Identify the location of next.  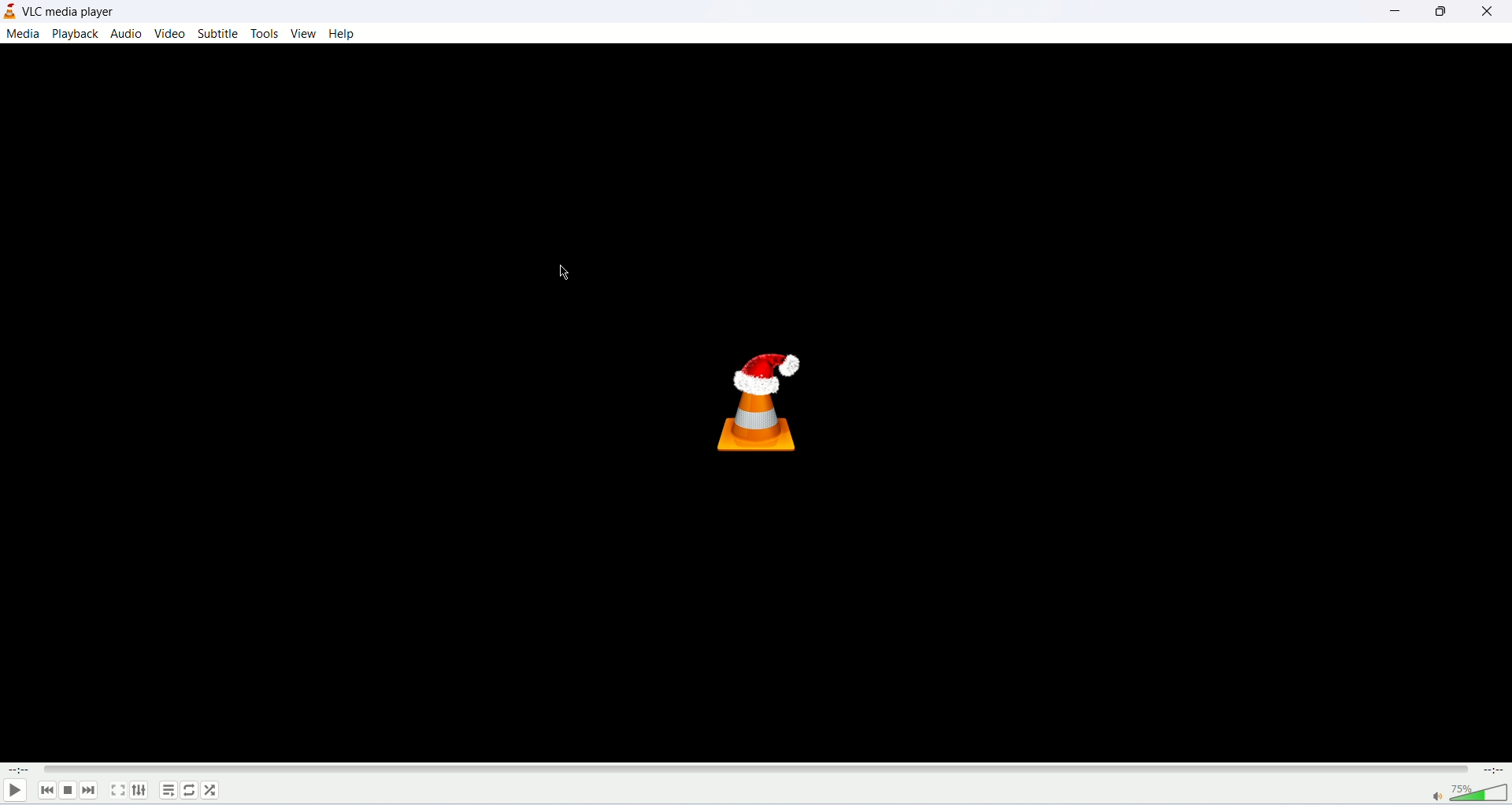
(91, 789).